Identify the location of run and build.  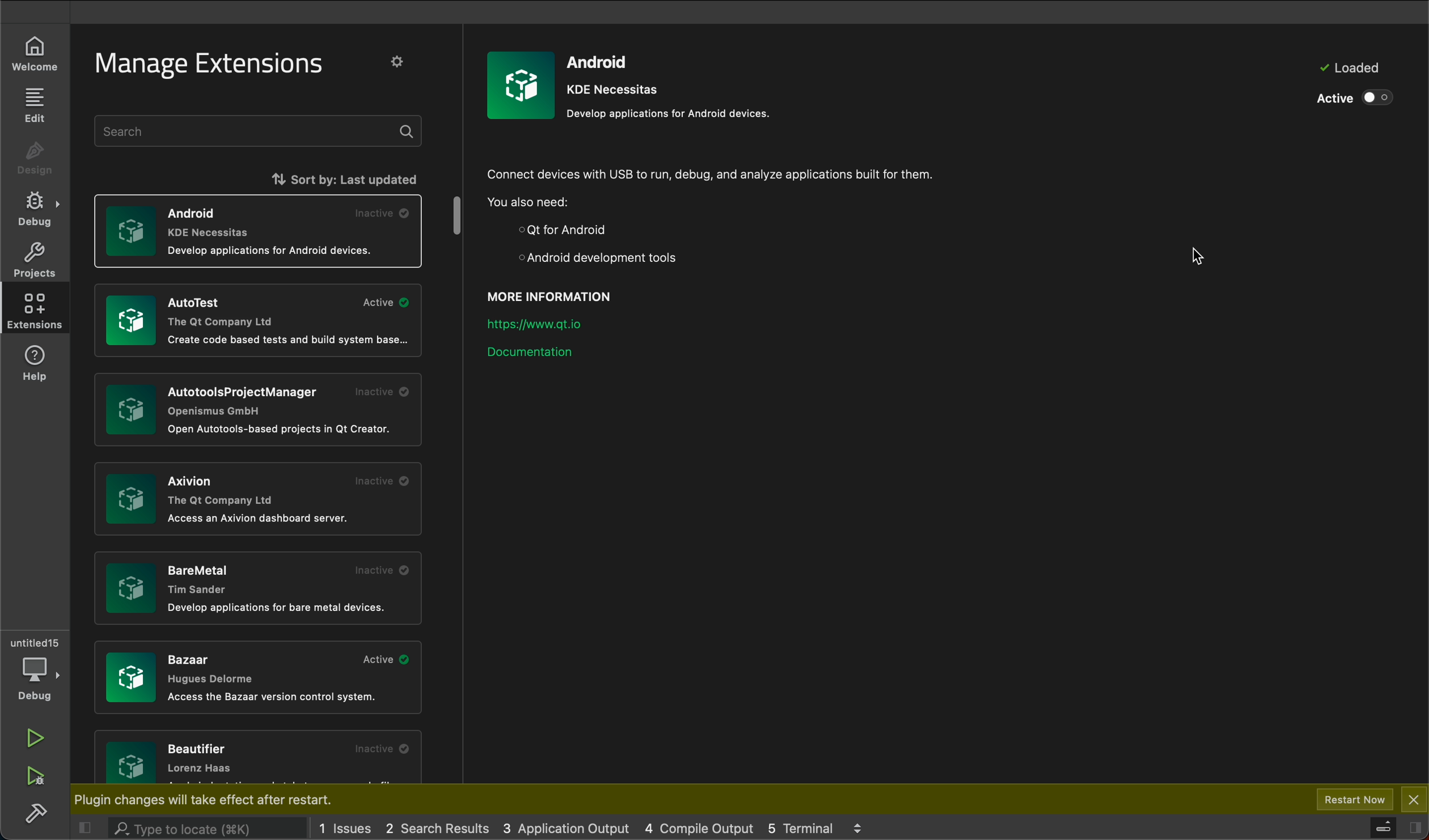
(36, 778).